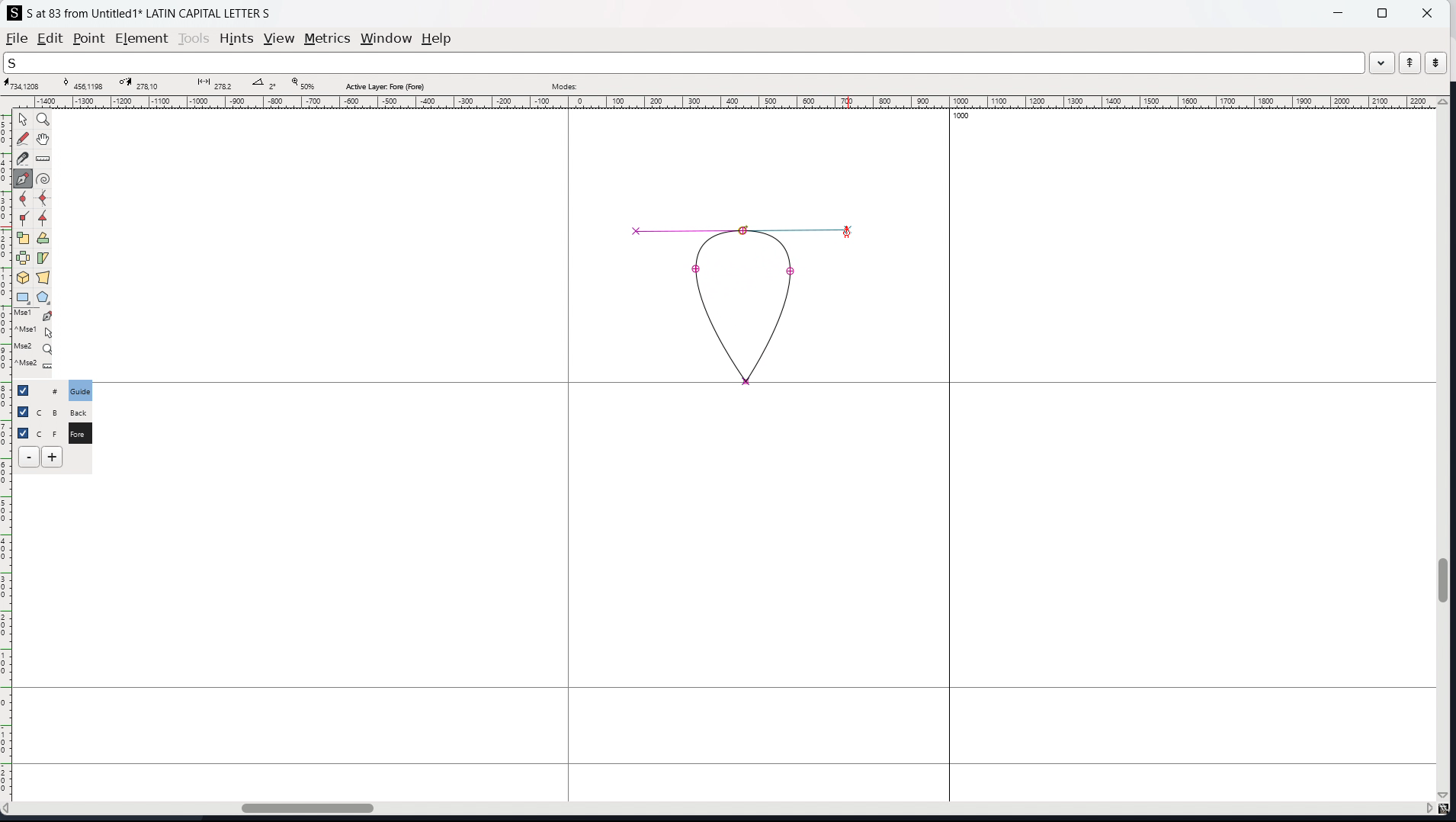 The width and height of the screenshot is (1456, 822). Describe the element at coordinates (17, 38) in the screenshot. I see `file` at that location.